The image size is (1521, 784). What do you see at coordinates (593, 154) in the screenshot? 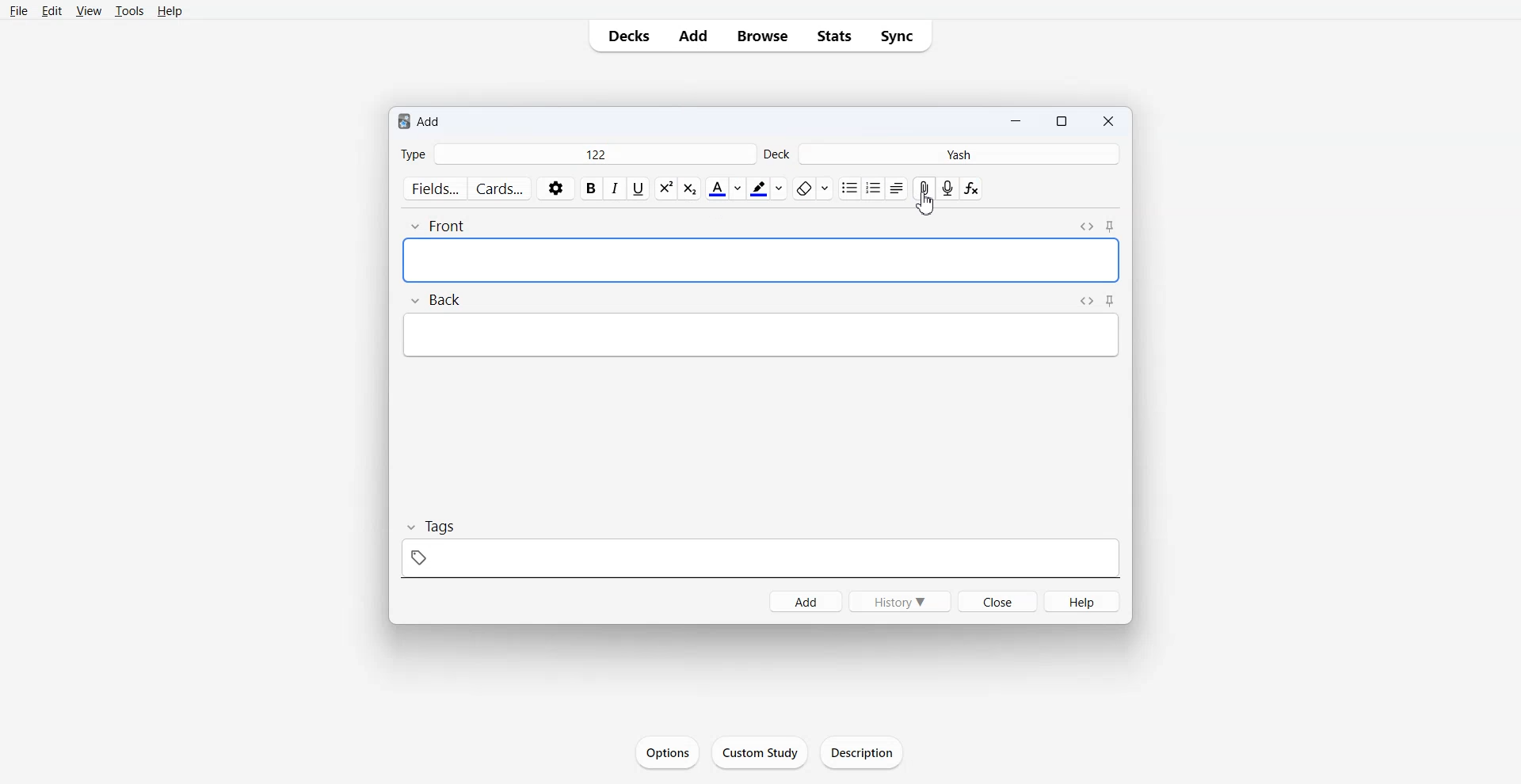
I see `122` at bounding box center [593, 154].